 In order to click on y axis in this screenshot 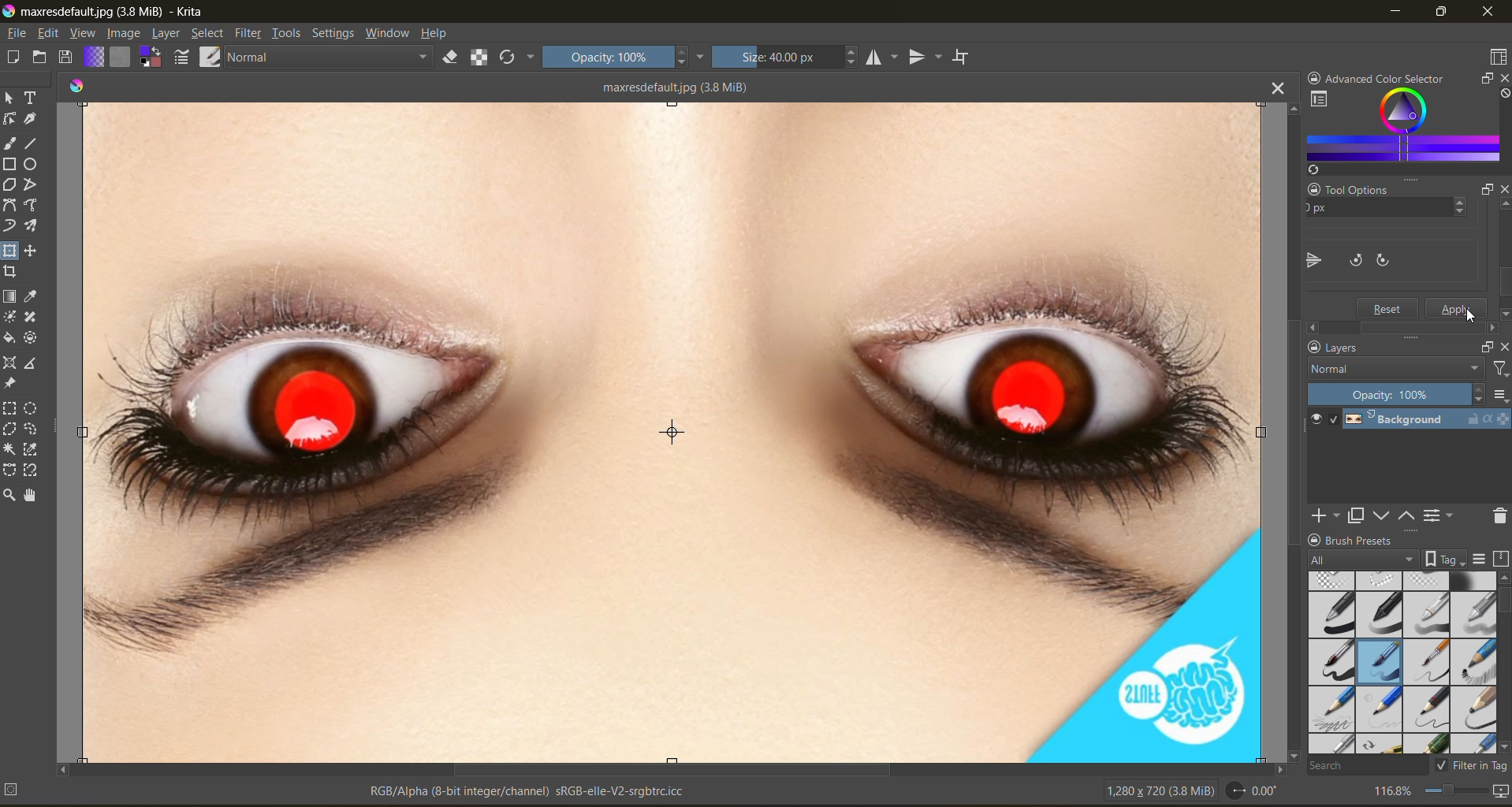, I will do `click(1370, 210)`.